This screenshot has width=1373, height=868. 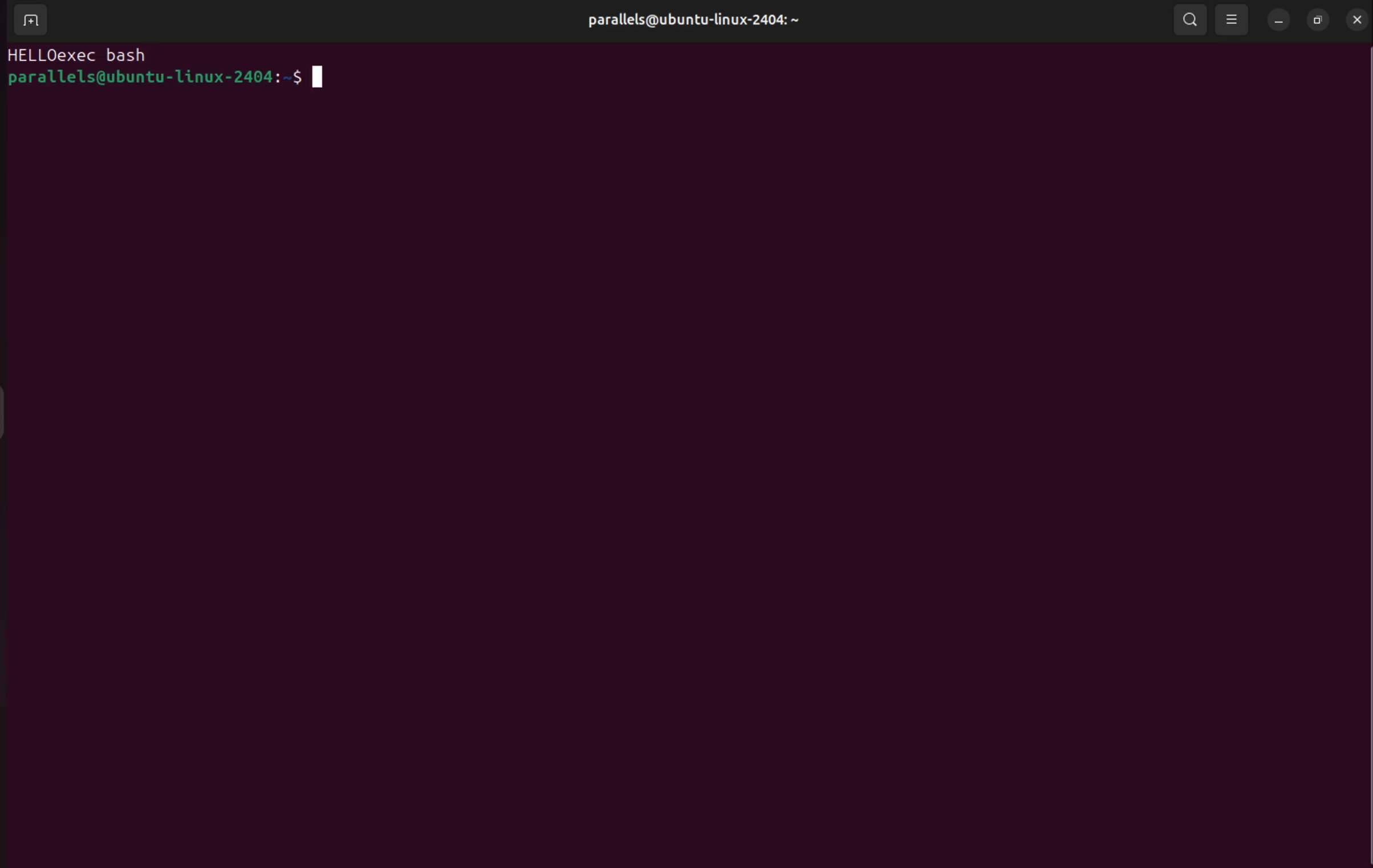 What do you see at coordinates (1319, 17) in the screenshot?
I see `resize` at bounding box center [1319, 17].